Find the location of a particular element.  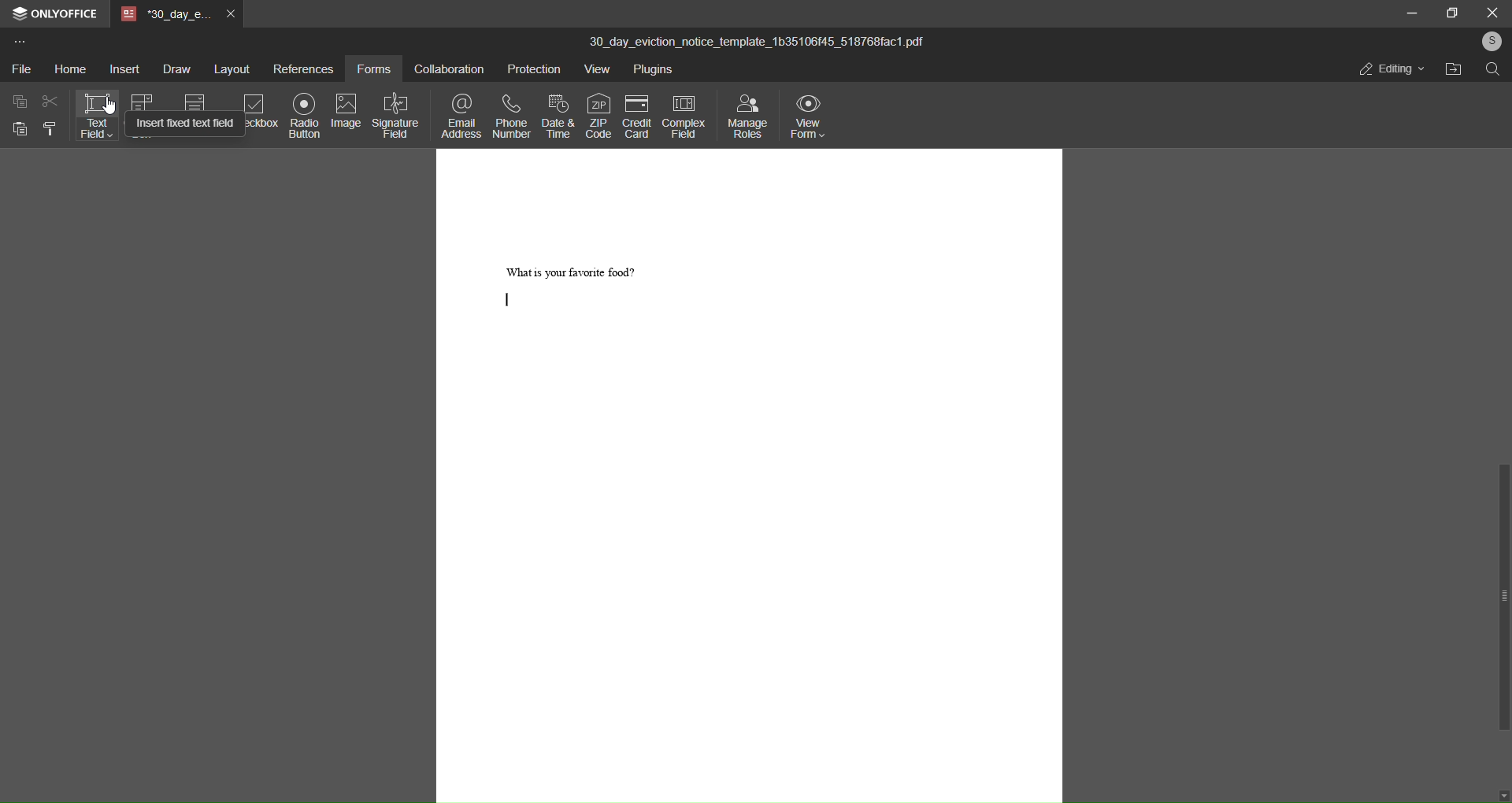

radio button is located at coordinates (301, 114).